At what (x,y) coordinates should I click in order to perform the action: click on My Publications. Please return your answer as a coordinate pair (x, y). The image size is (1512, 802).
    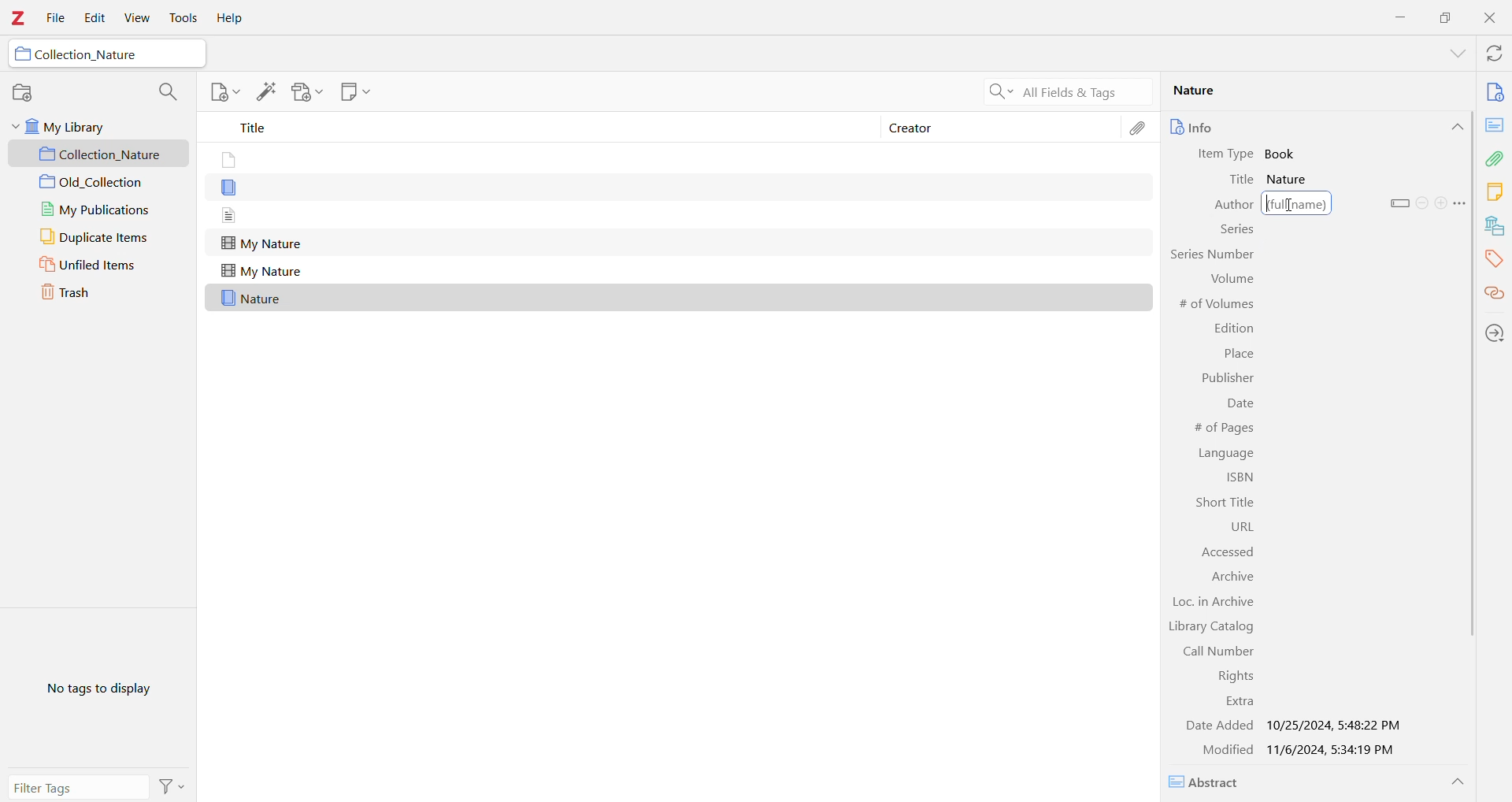
    Looking at the image, I should click on (98, 211).